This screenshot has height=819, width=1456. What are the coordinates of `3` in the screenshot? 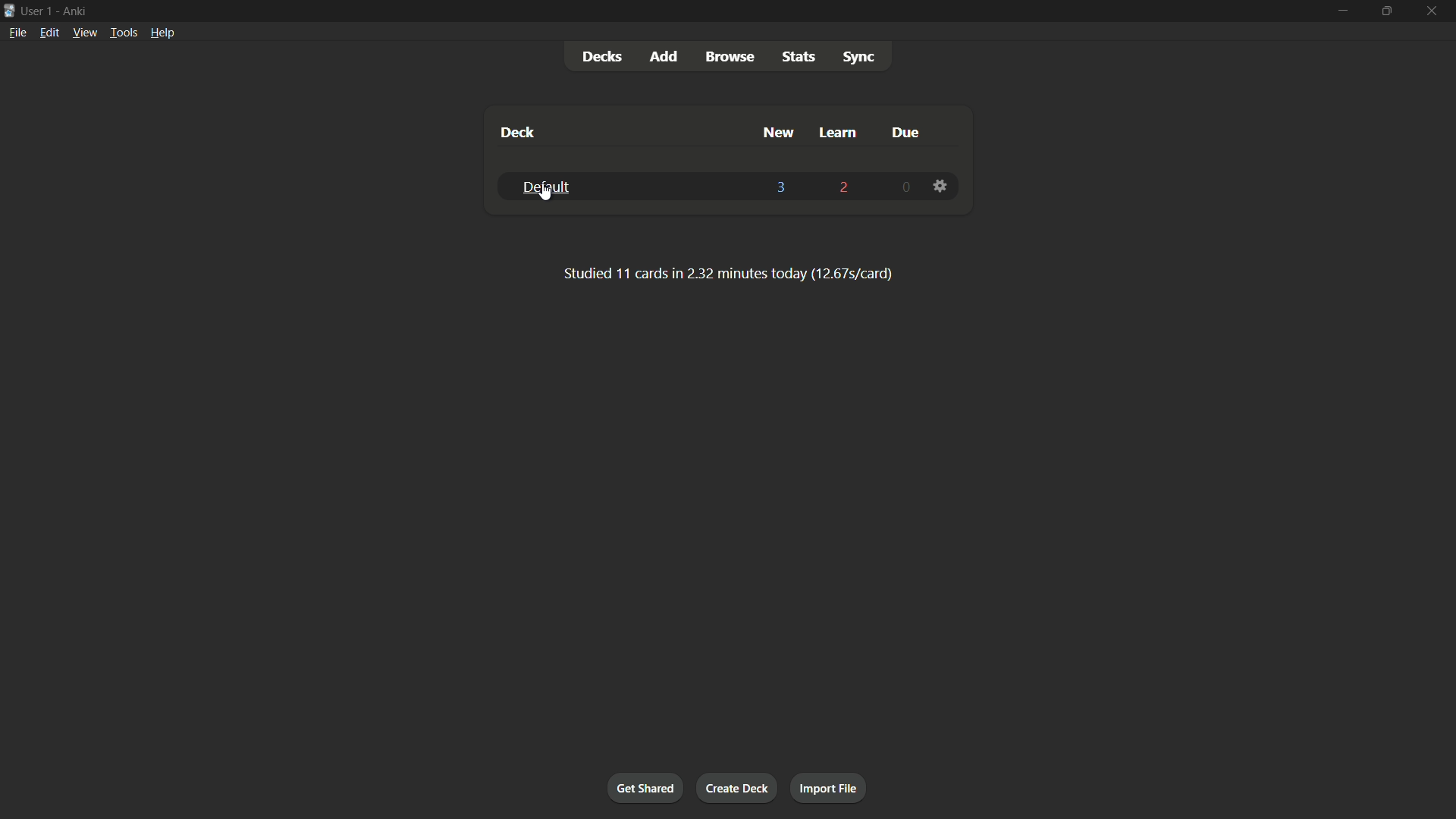 It's located at (781, 187).